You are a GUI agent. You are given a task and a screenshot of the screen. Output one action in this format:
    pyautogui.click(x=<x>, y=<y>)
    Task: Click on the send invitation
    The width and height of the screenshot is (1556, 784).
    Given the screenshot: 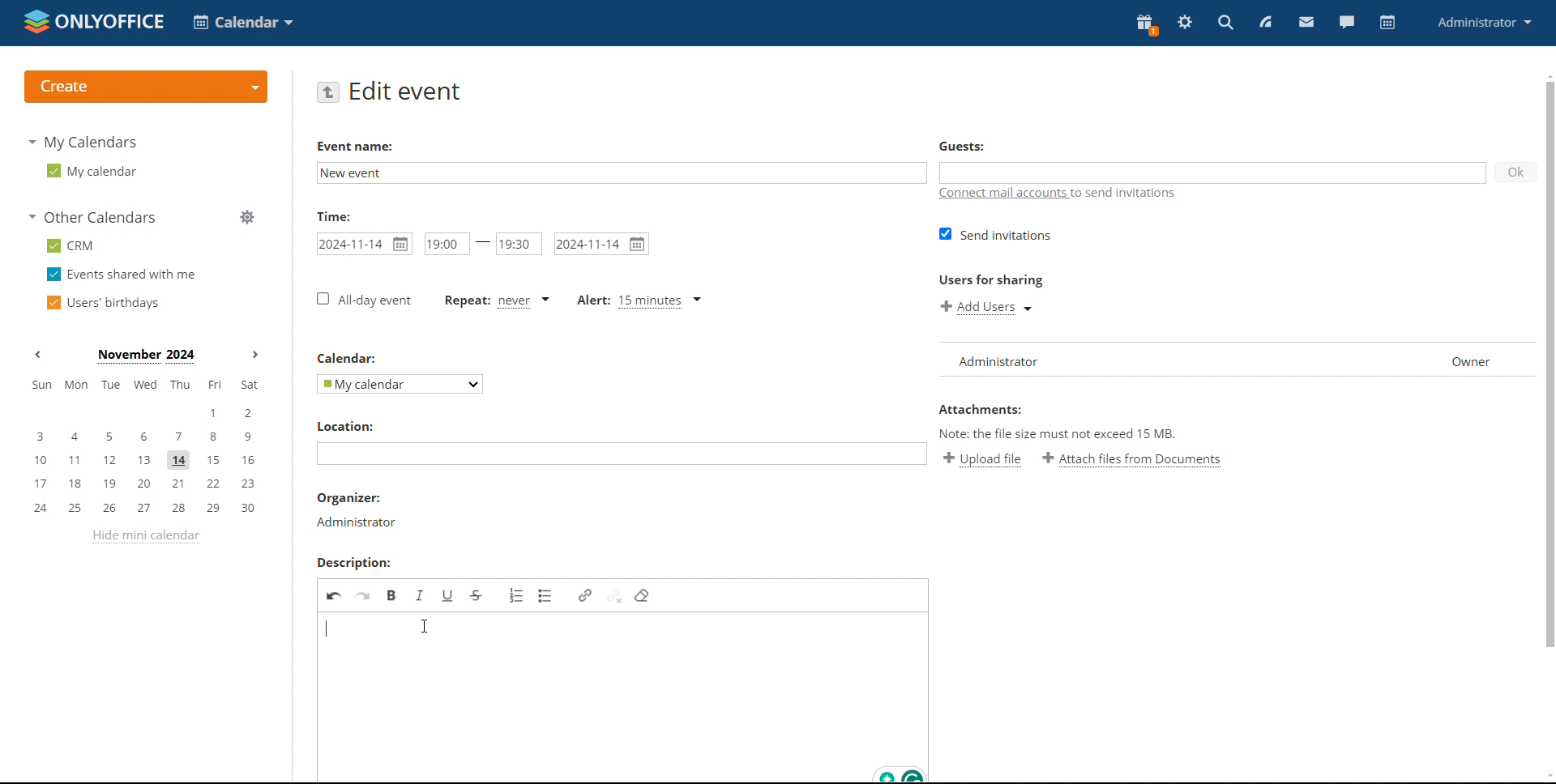 What is the action you would take?
    pyautogui.click(x=994, y=234)
    